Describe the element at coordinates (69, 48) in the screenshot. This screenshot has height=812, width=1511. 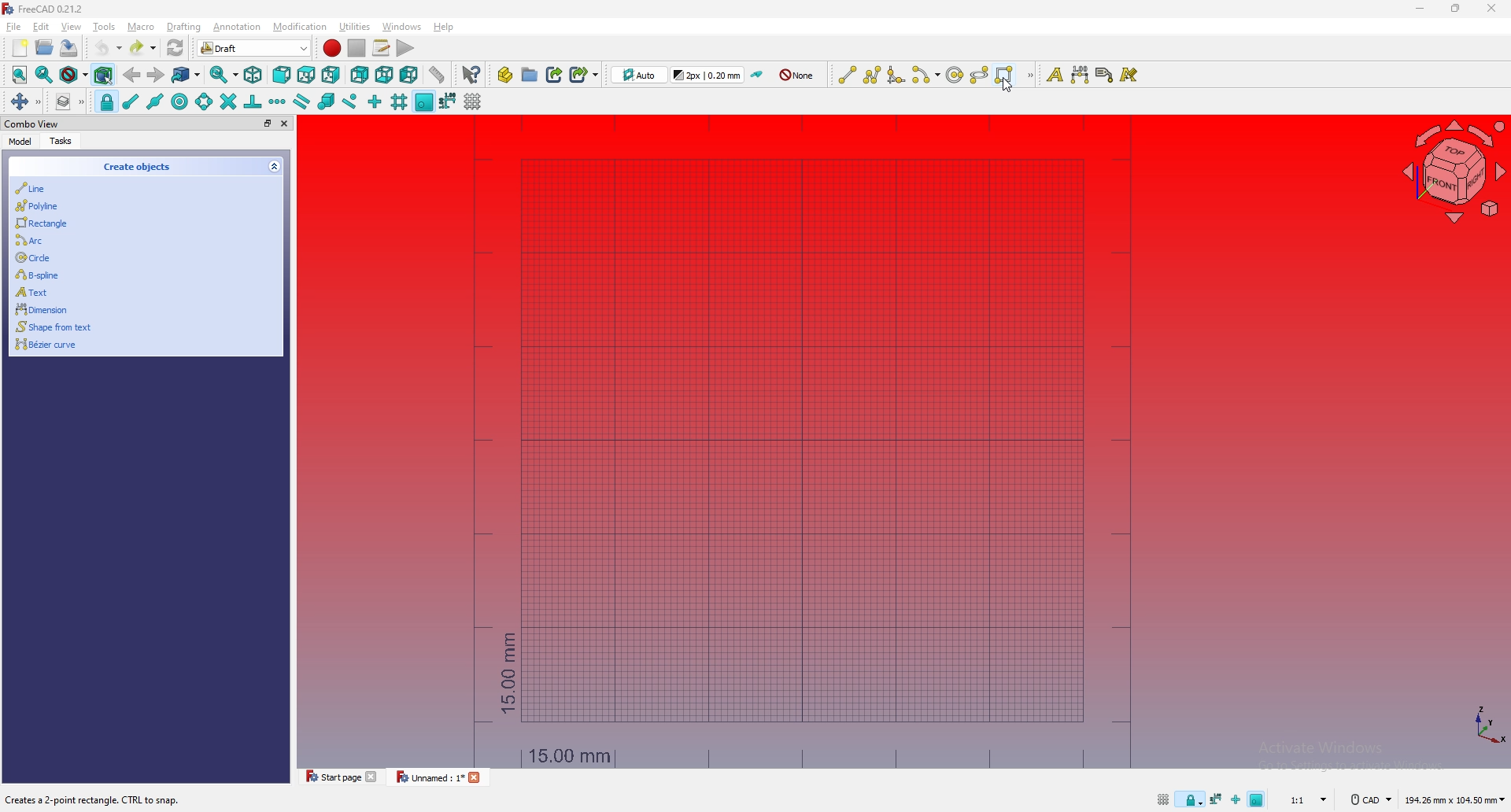
I see `save` at that location.